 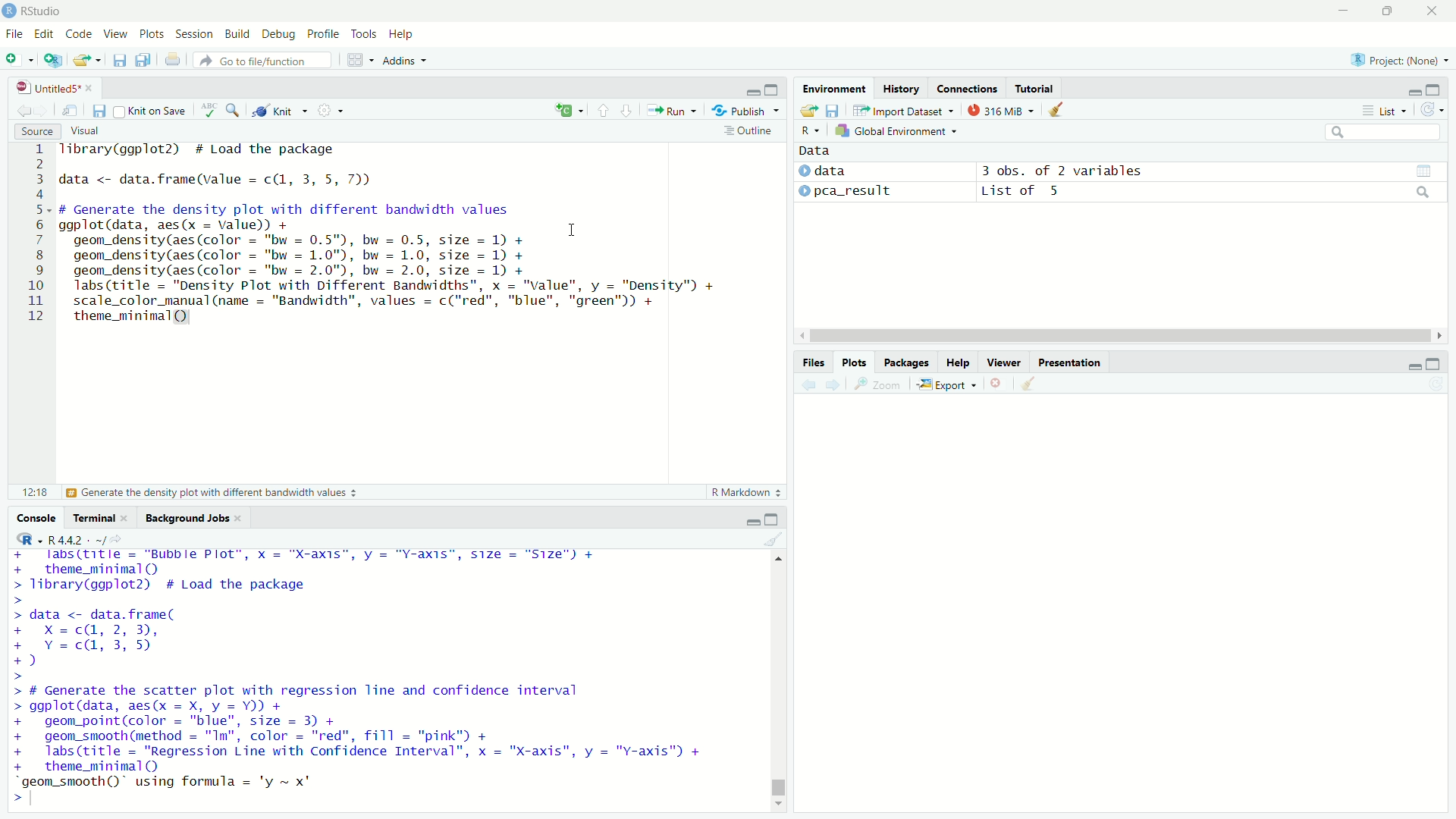 I want to click on R, so click(x=26, y=538).